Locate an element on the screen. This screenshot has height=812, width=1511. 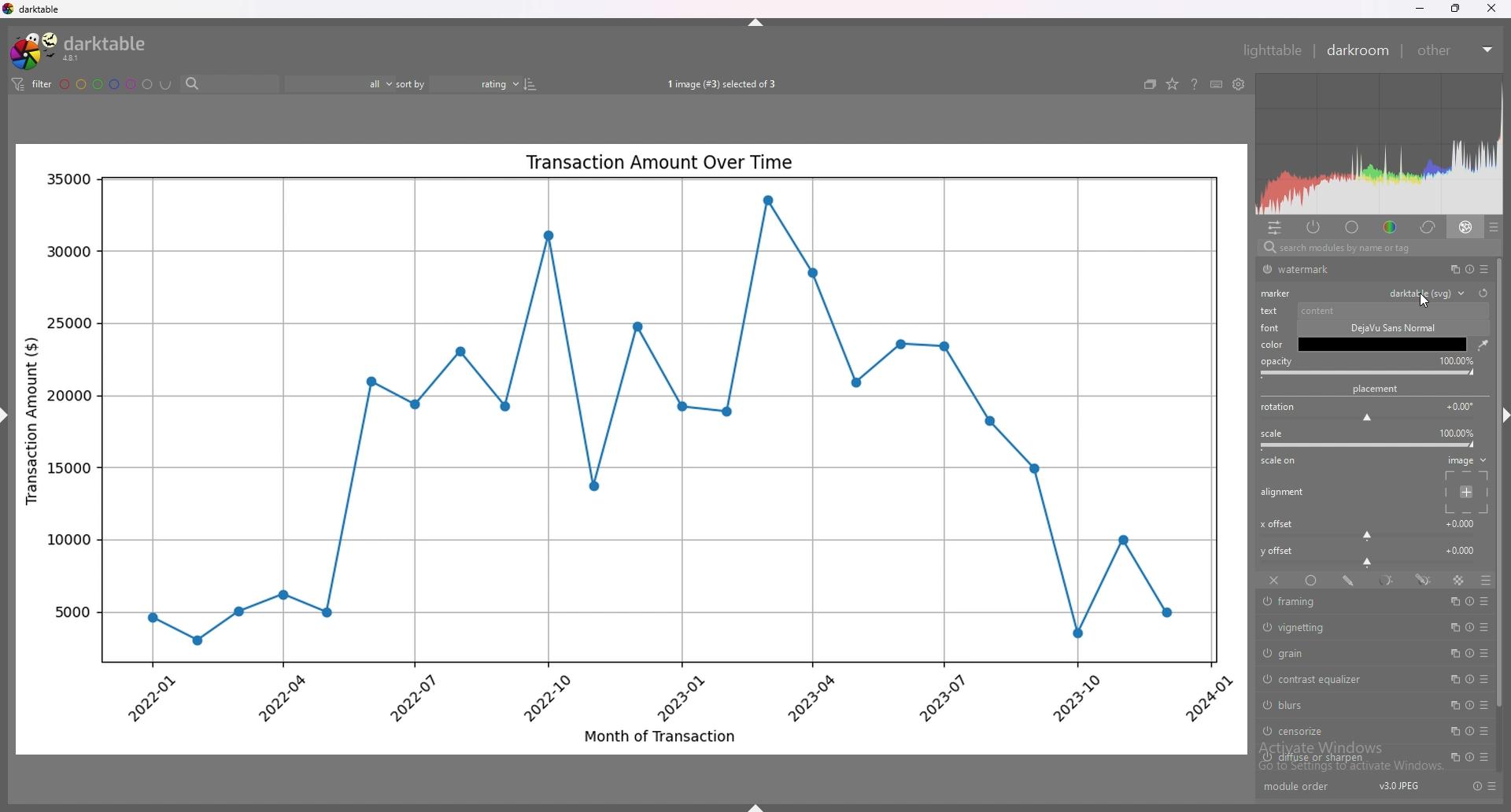
switch off is located at coordinates (1265, 677).